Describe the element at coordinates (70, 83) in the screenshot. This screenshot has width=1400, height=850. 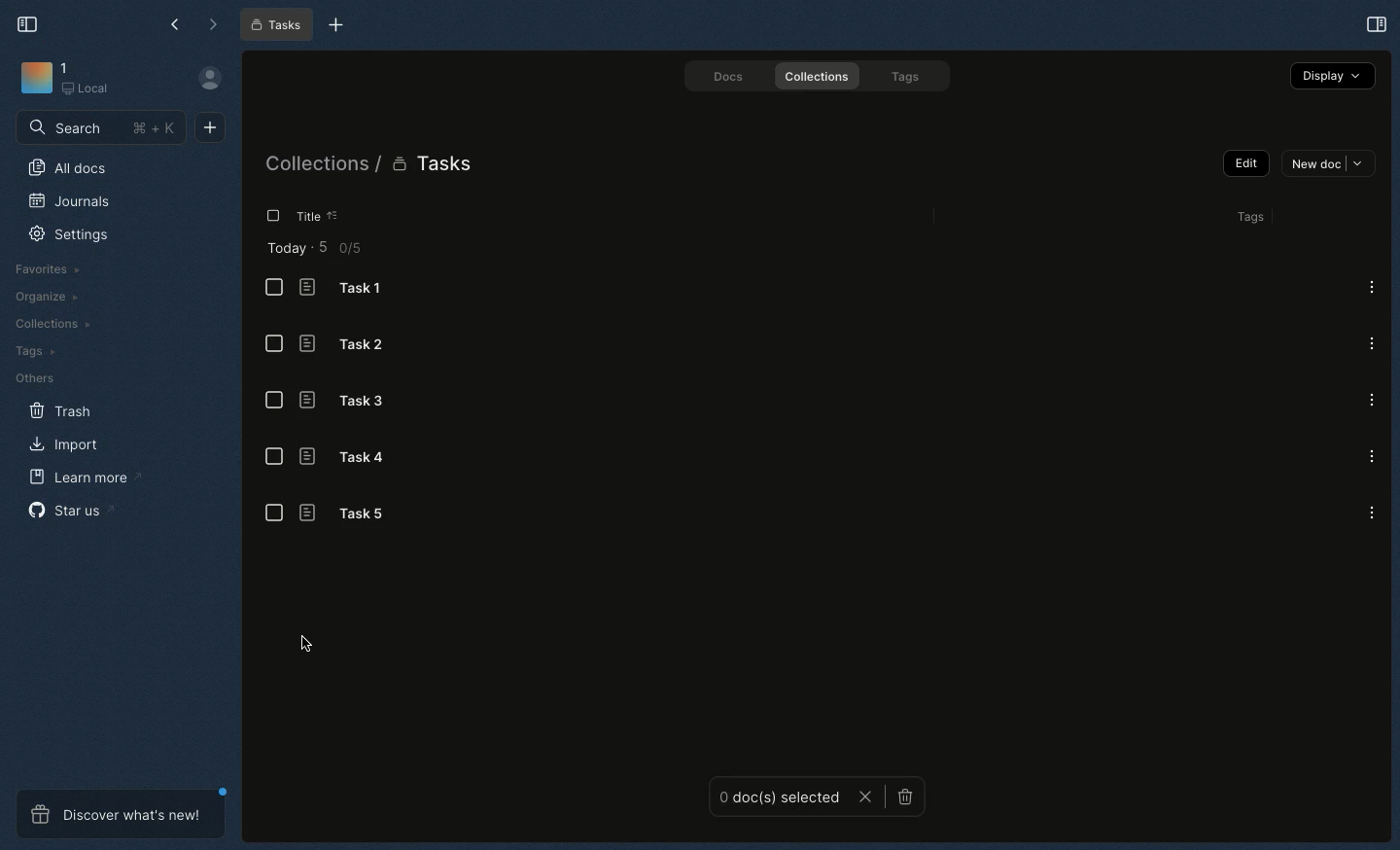
I see `Workspace` at that location.